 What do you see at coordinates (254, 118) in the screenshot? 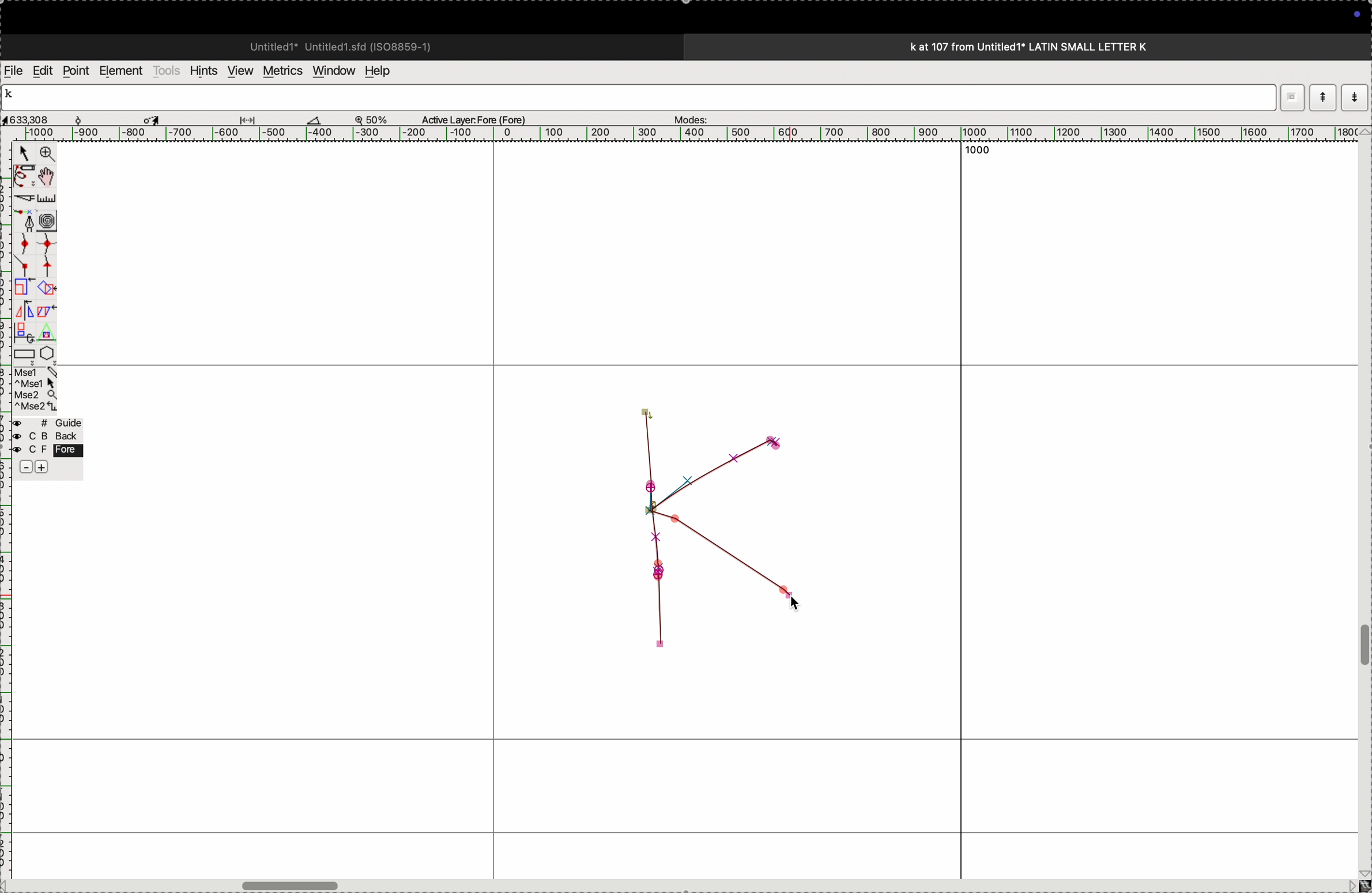
I see `drang` at bounding box center [254, 118].